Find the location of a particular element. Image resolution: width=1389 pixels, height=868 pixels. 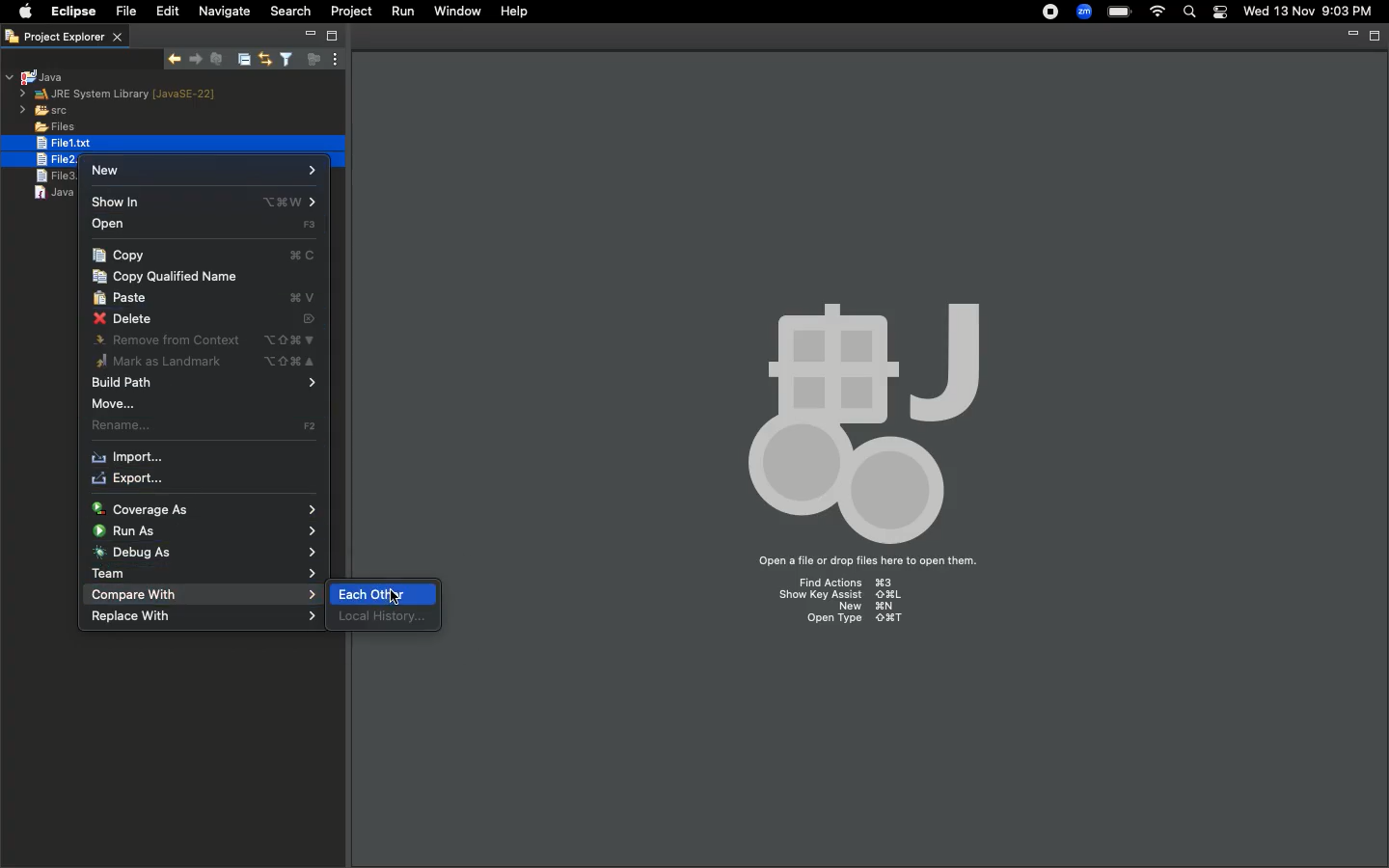

Compare with is located at coordinates (204, 595).